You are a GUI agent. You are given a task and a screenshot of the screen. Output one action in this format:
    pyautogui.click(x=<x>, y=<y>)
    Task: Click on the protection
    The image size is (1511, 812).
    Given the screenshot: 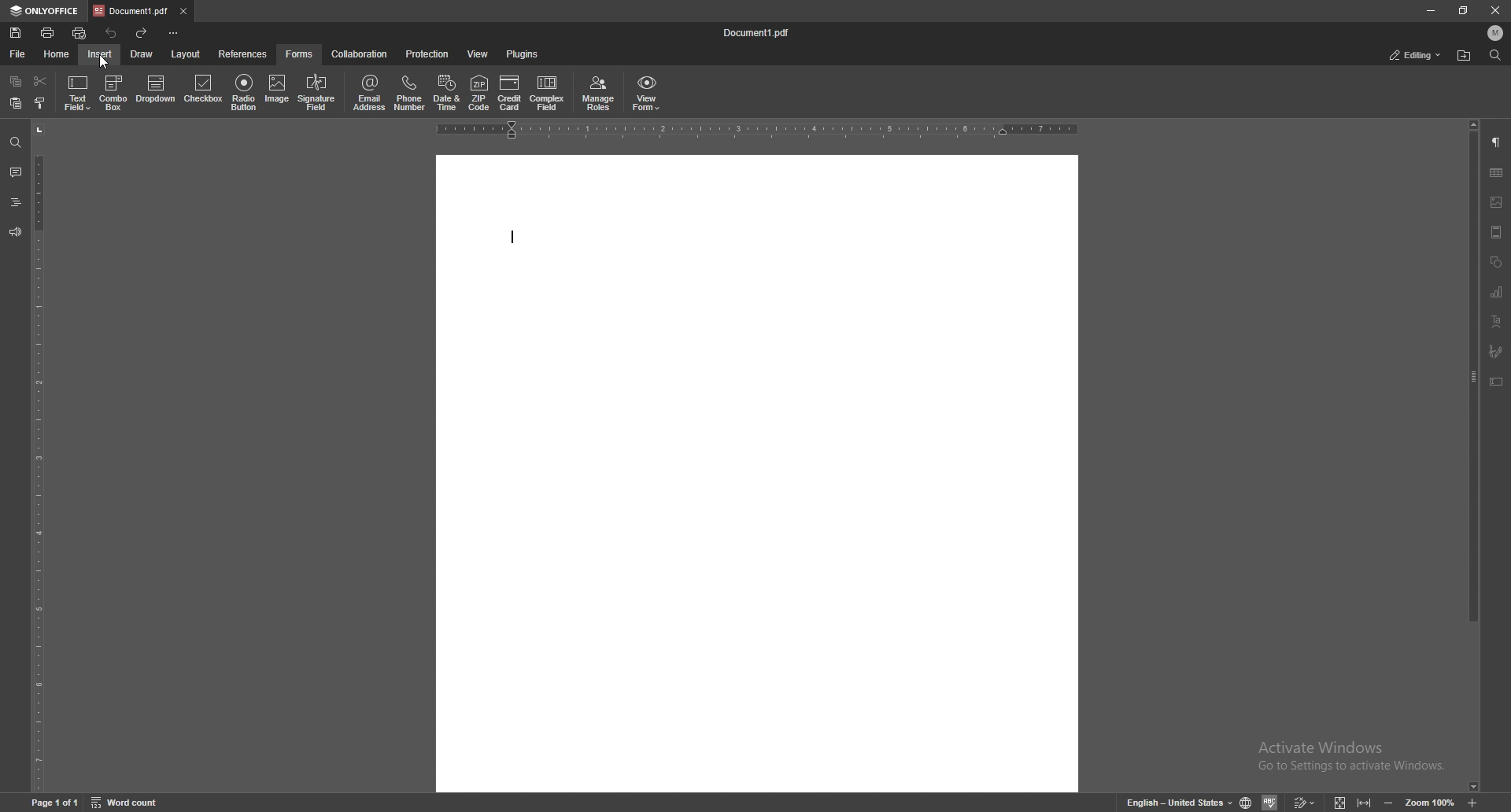 What is the action you would take?
    pyautogui.click(x=428, y=54)
    